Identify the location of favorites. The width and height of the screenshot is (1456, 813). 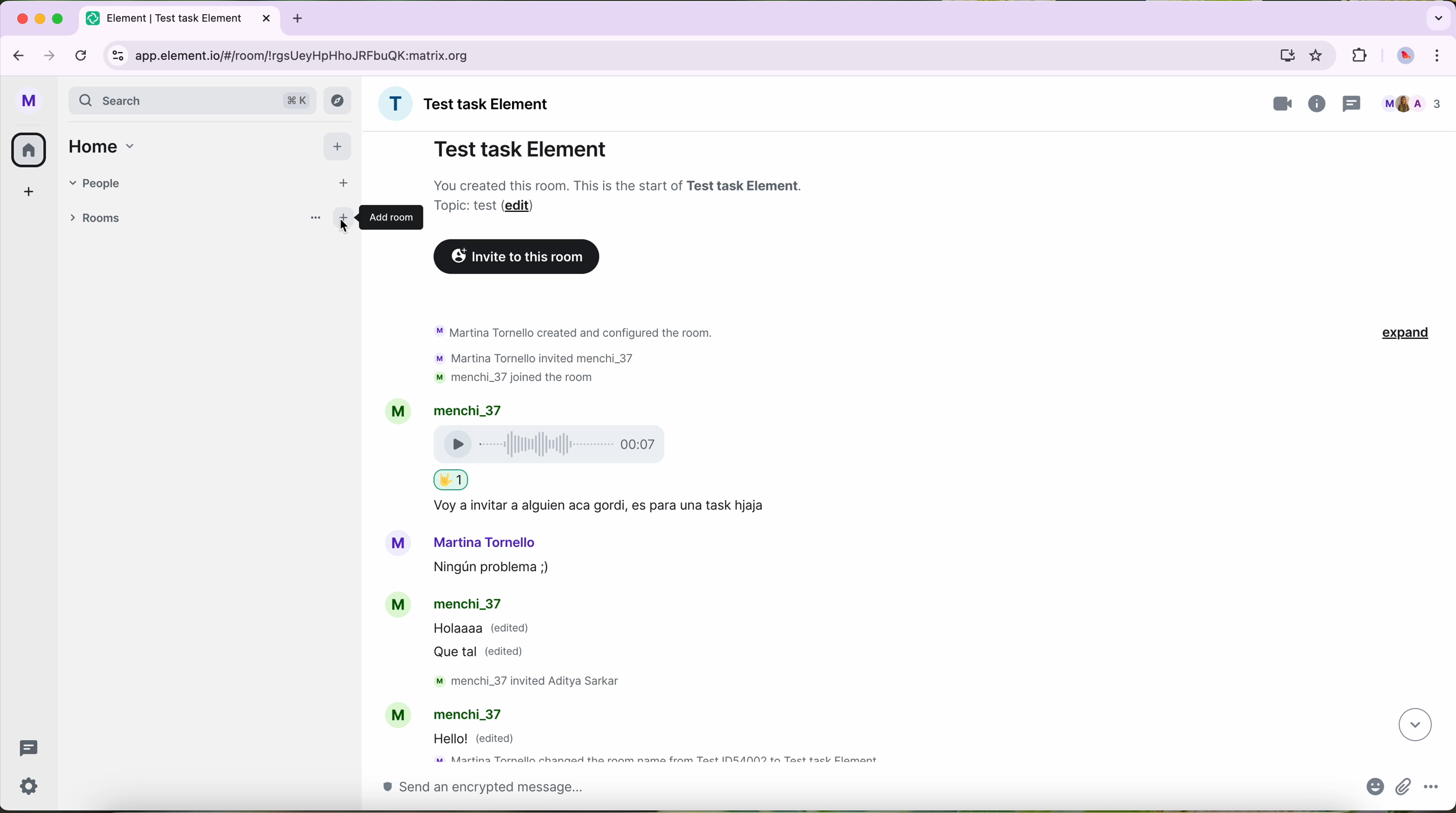
(1319, 56).